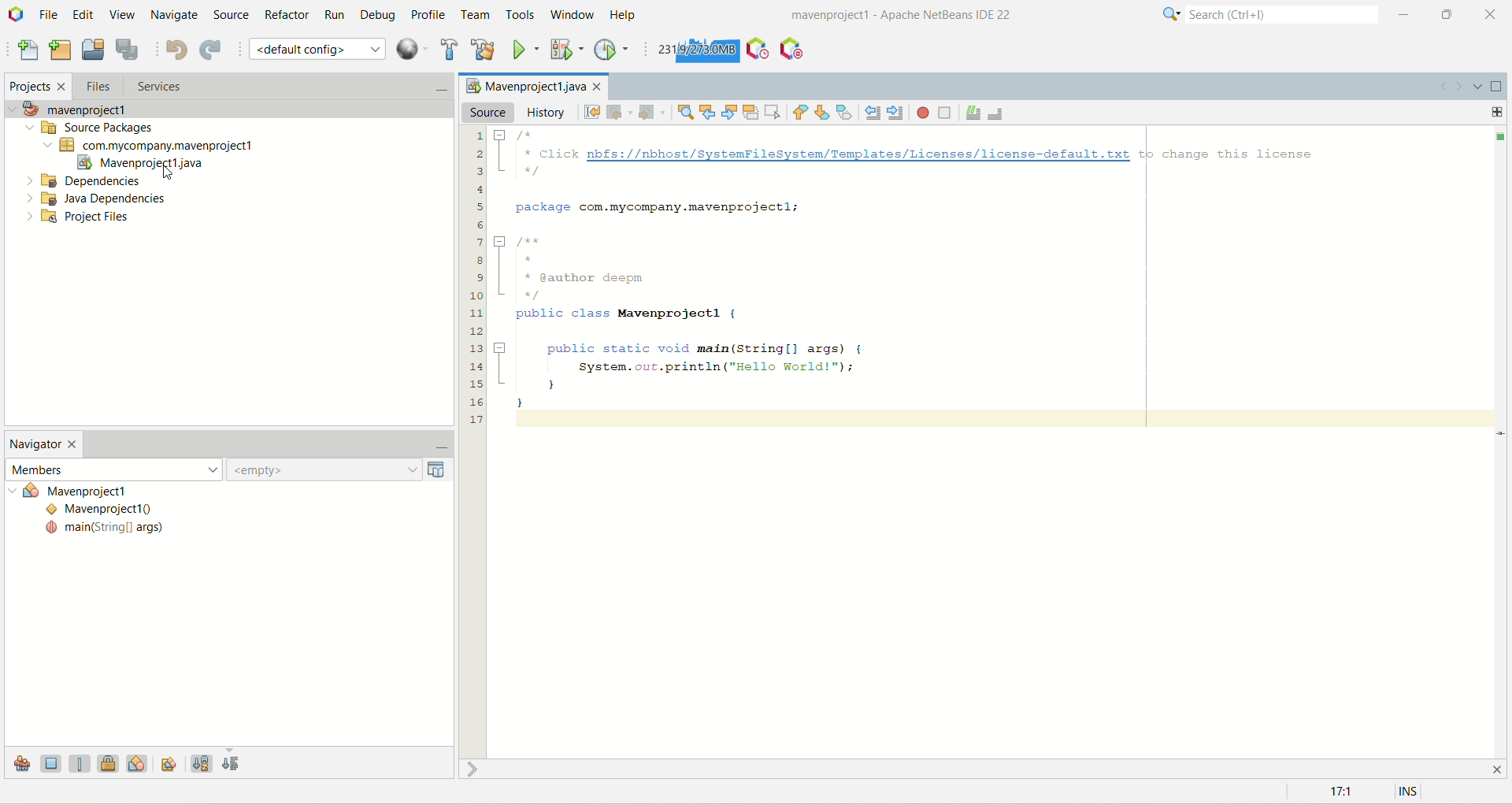  What do you see at coordinates (176, 50) in the screenshot?
I see `undo` at bounding box center [176, 50].